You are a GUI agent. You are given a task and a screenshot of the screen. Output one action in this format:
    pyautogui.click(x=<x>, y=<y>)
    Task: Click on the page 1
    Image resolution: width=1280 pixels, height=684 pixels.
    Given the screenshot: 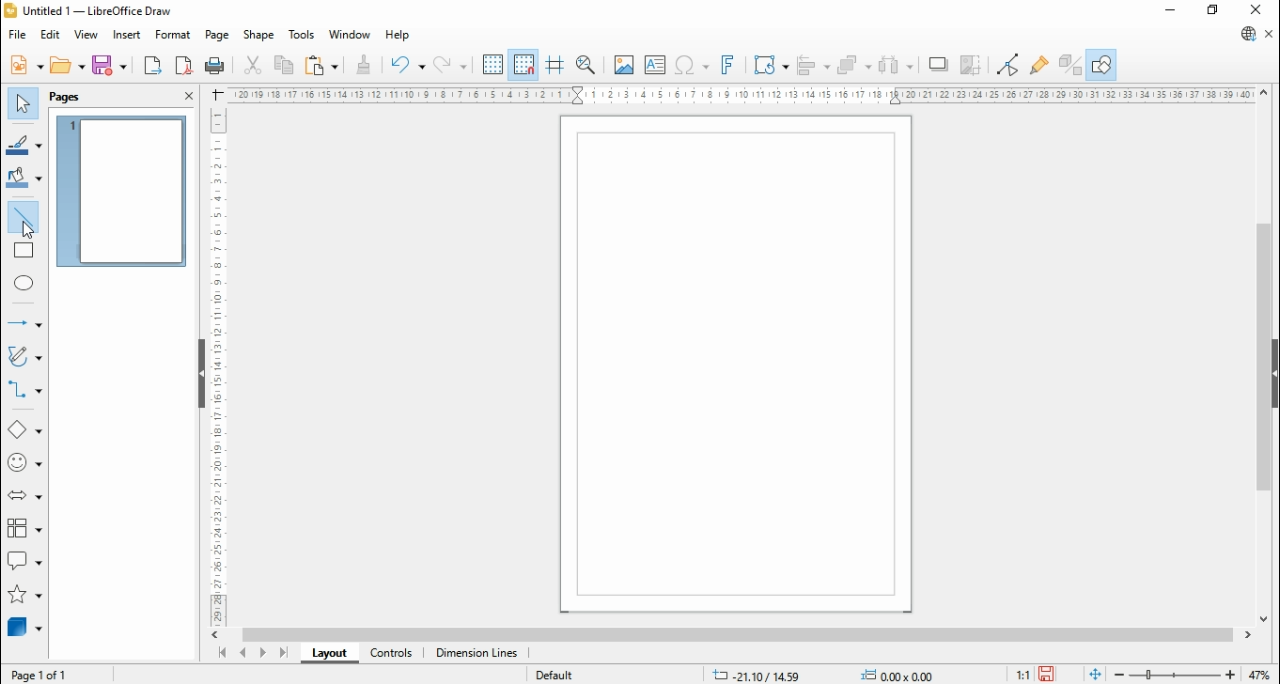 What is the action you would take?
    pyautogui.click(x=122, y=191)
    